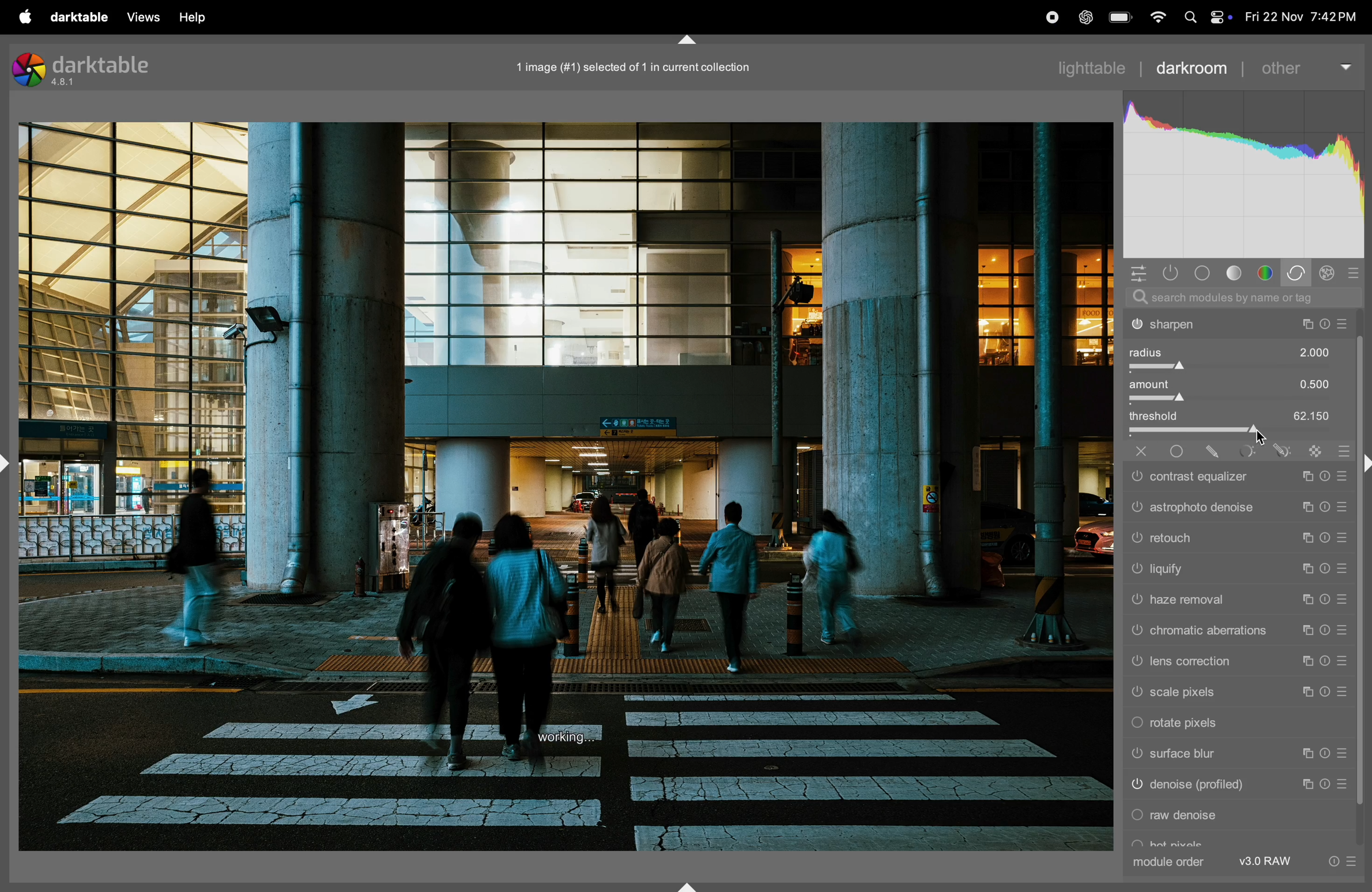 This screenshot has height=892, width=1372. What do you see at coordinates (1240, 391) in the screenshot?
I see `amount` at bounding box center [1240, 391].